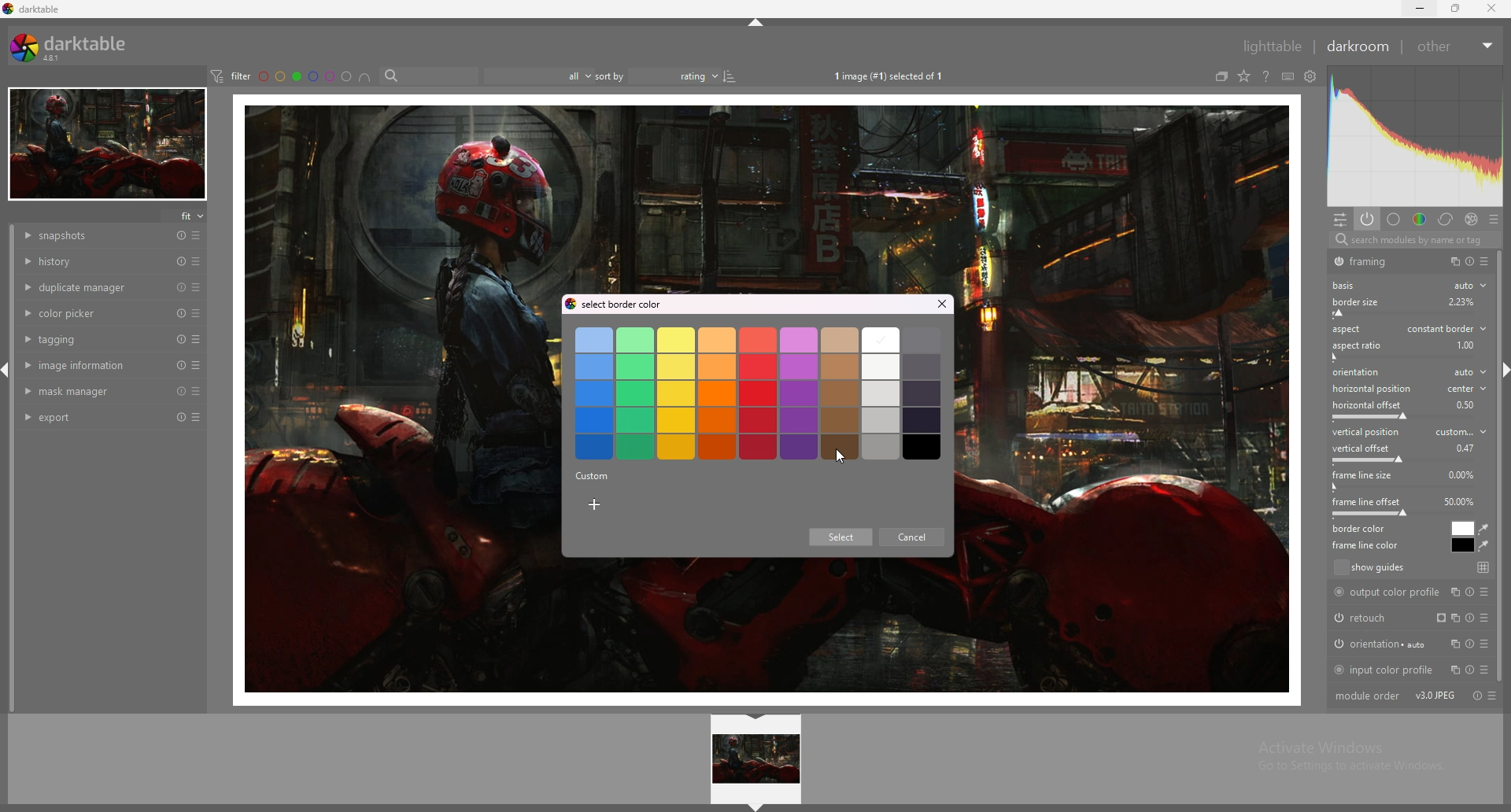 Image resolution: width=1511 pixels, height=812 pixels. What do you see at coordinates (1409, 644) in the screenshot?
I see `orientation` at bounding box center [1409, 644].